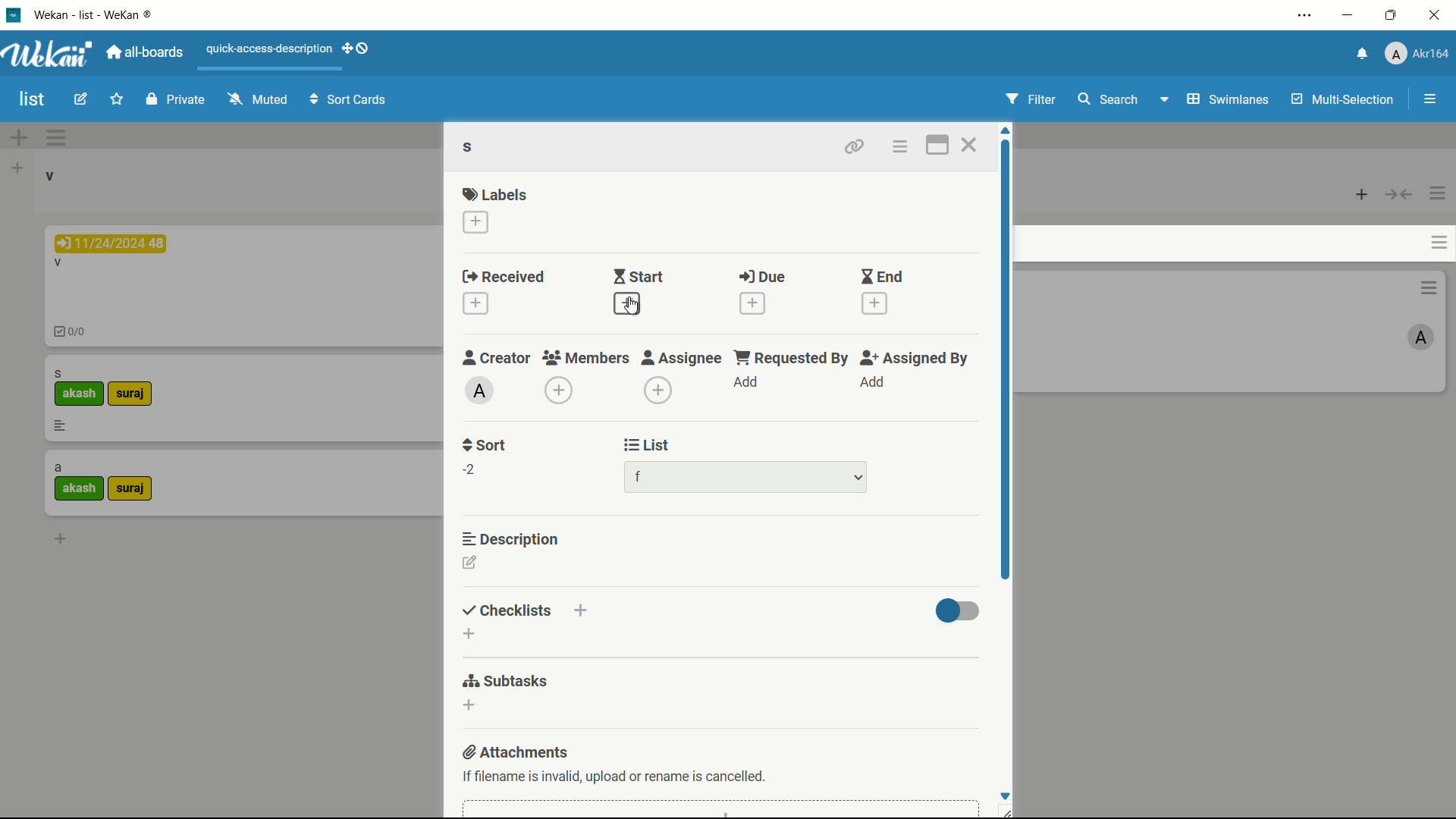 The image size is (1456, 819). I want to click on add checklists, so click(582, 610).